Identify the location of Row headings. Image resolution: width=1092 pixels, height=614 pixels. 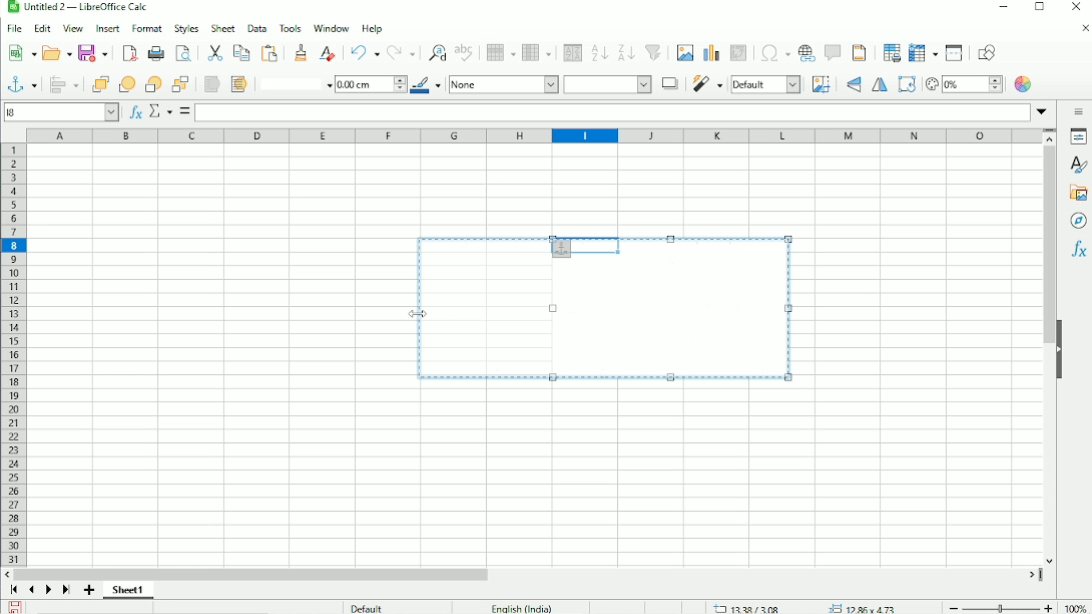
(12, 354).